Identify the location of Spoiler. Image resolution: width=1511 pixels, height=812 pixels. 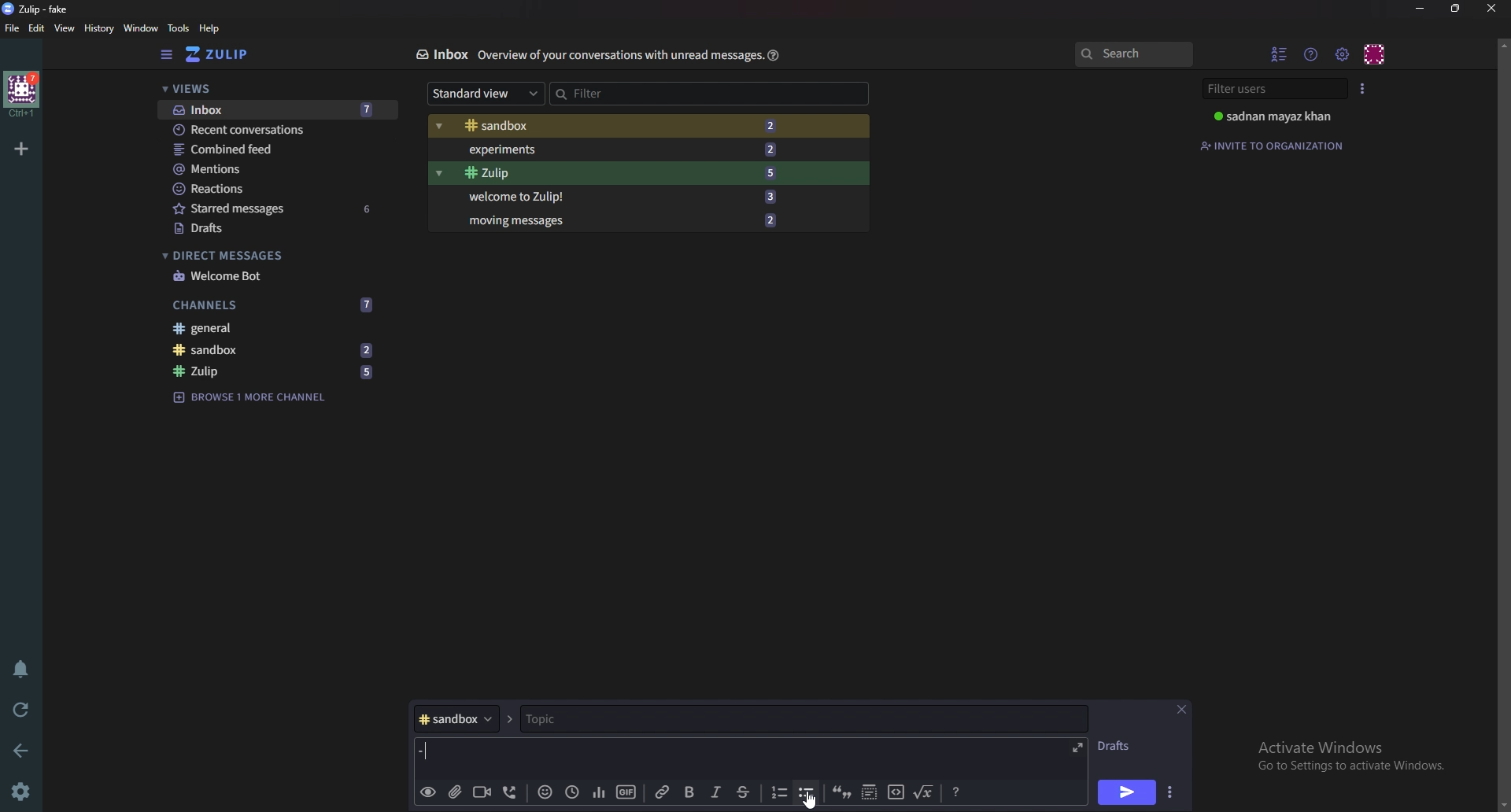
(870, 791).